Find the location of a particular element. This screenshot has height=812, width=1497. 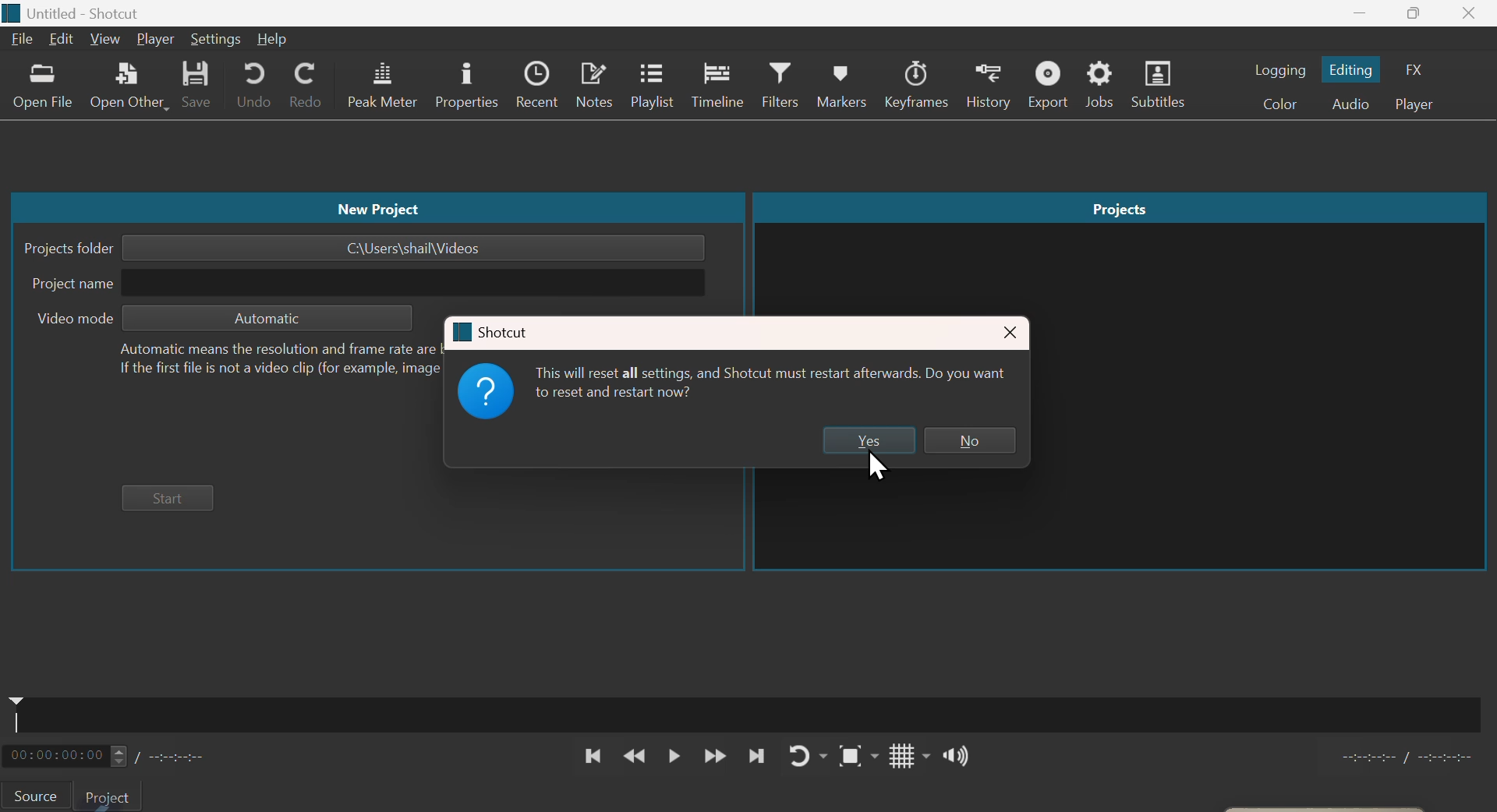

minimize is located at coordinates (1361, 13).